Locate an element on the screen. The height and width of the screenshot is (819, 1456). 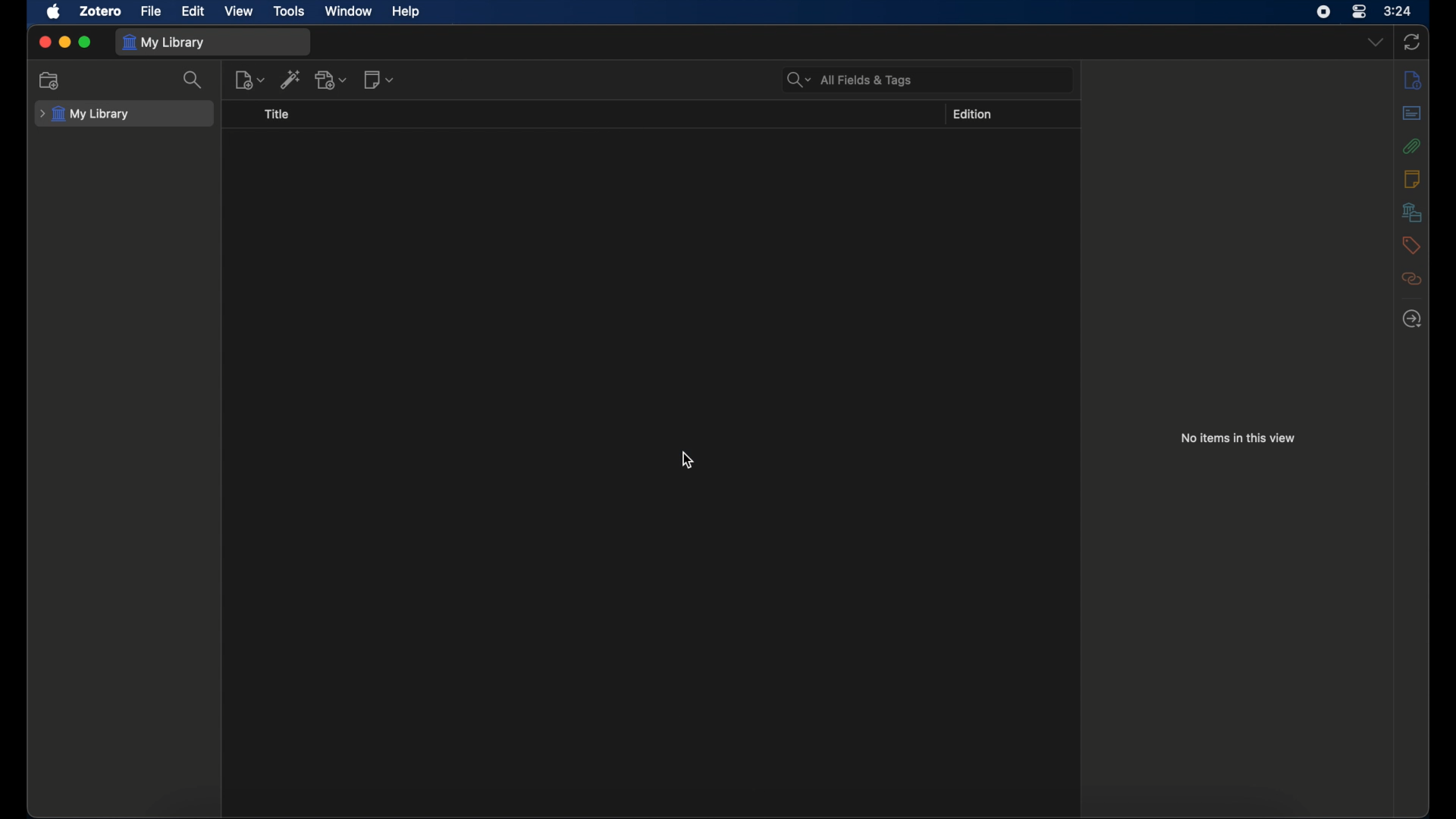
notes is located at coordinates (1411, 177).